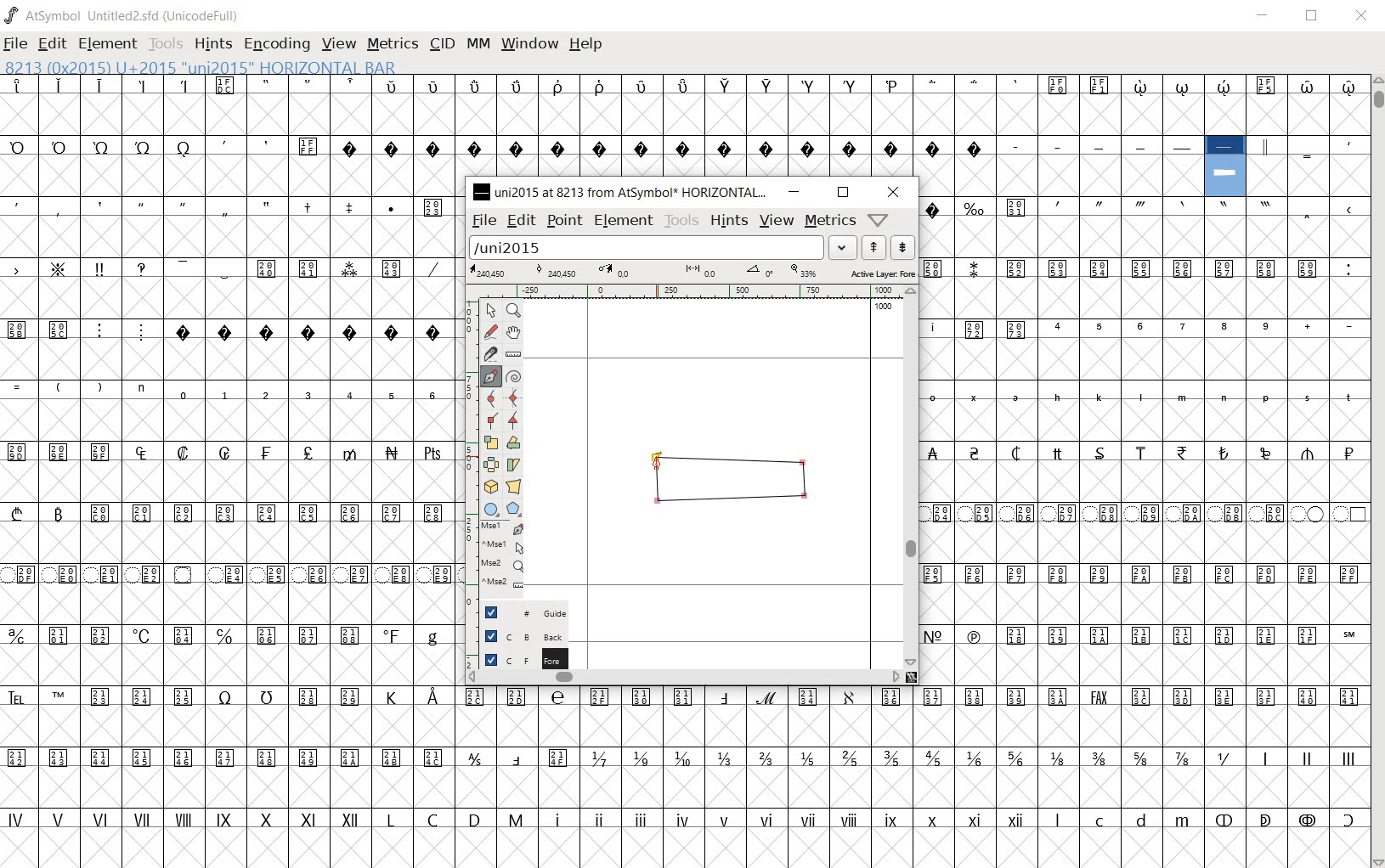 Image resolution: width=1385 pixels, height=868 pixels. What do you see at coordinates (123, 15) in the screenshot?
I see `AtSymbol  Untitled2.sfd (UnicodeFull)` at bounding box center [123, 15].